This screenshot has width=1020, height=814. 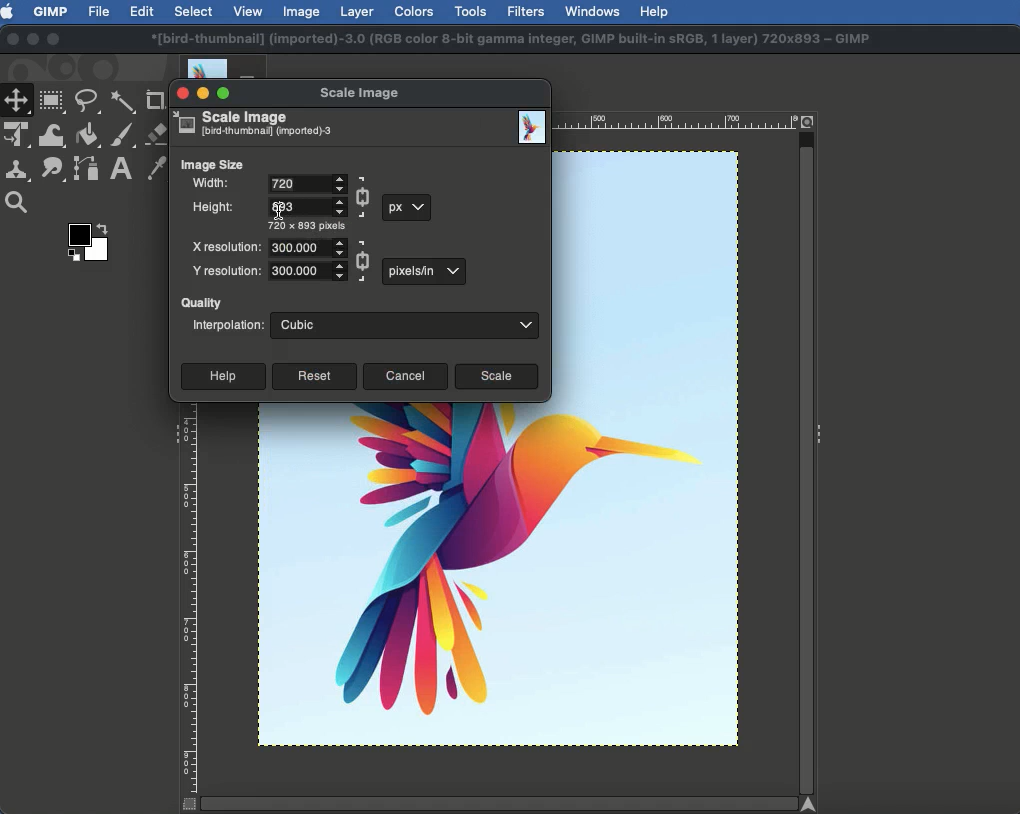 What do you see at coordinates (511, 36) in the screenshot?
I see `*[bird-thumbnail] (imported)-3.0 (RGB color 8-bit gamma integer. GIMP built-in SRGB. 1 layer) 720x893 ~ GIMP` at bounding box center [511, 36].